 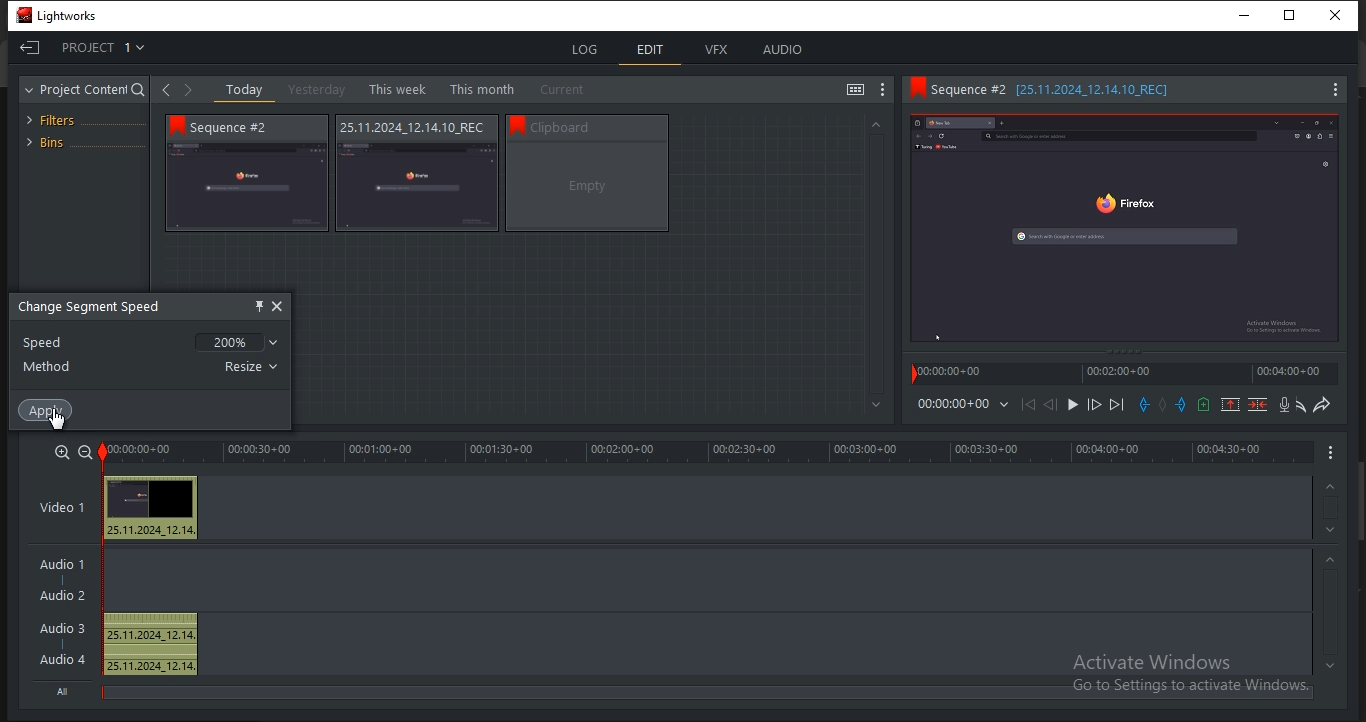 What do you see at coordinates (49, 368) in the screenshot?
I see `method` at bounding box center [49, 368].